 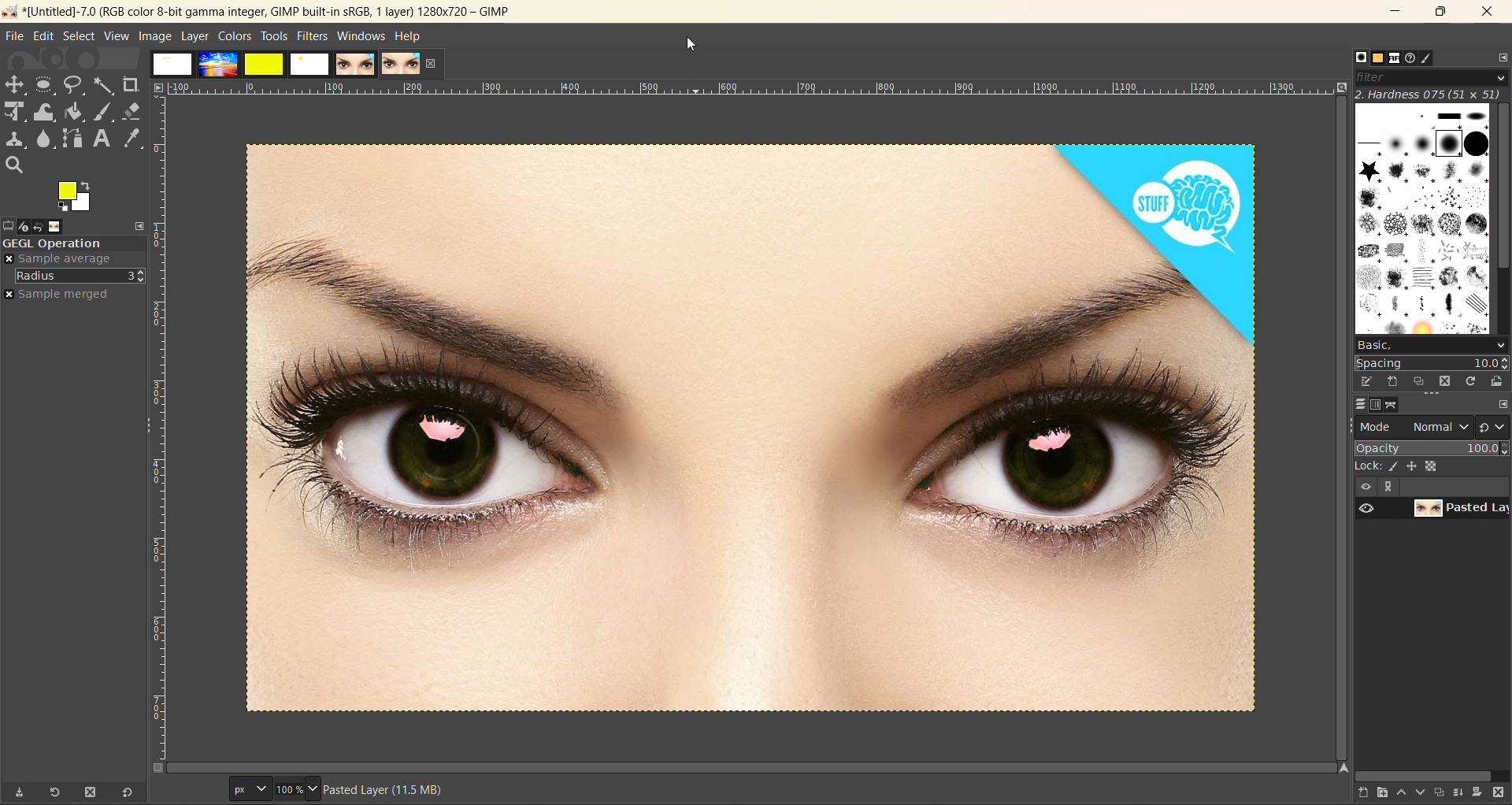 What do you see at coordinates (1366, 466) in the screenshot?
I see `lock :` at bounding box center [1366, 466].